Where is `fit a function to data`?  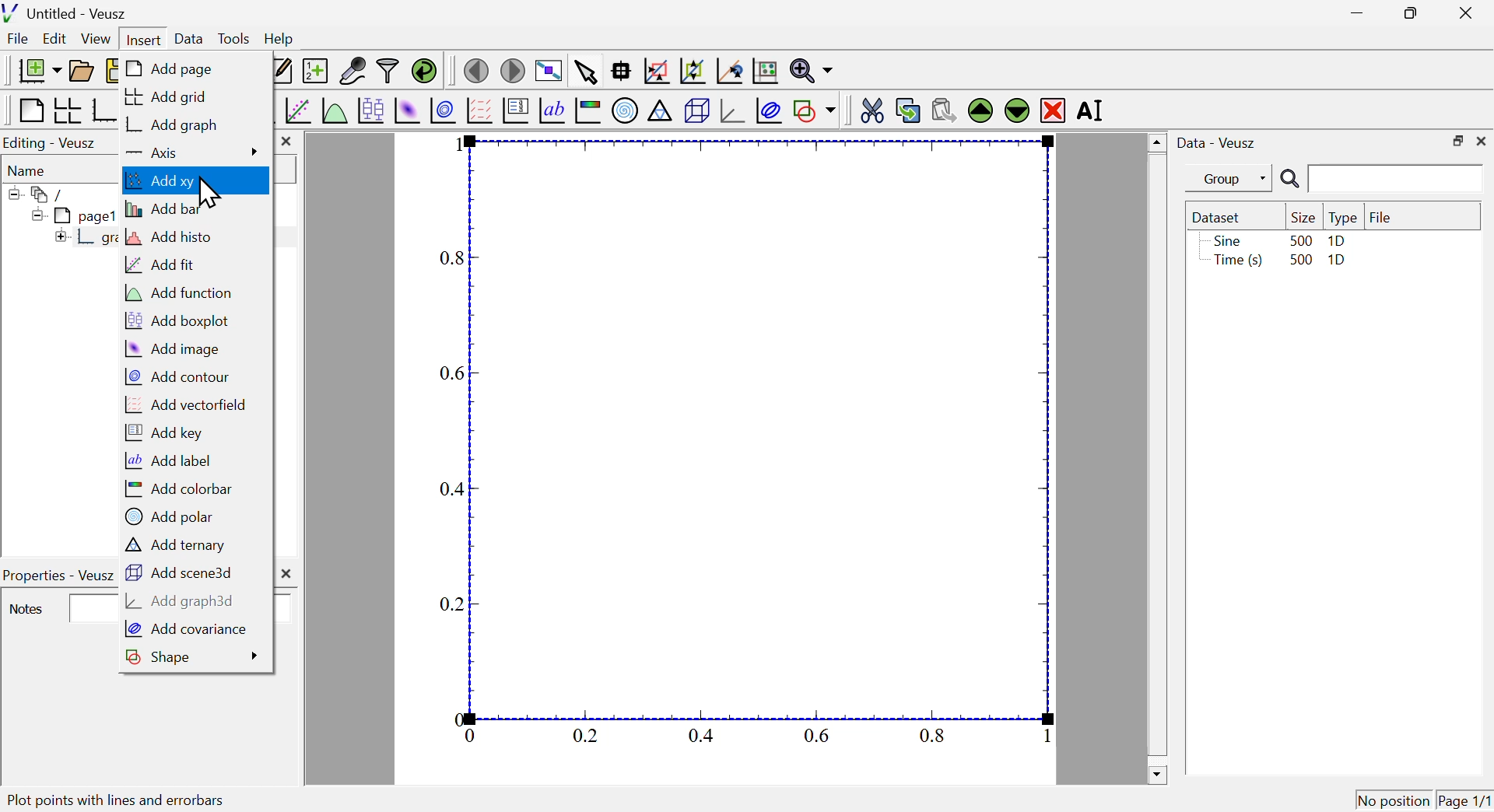 fit a function to data is located at coordinates (296, 110).